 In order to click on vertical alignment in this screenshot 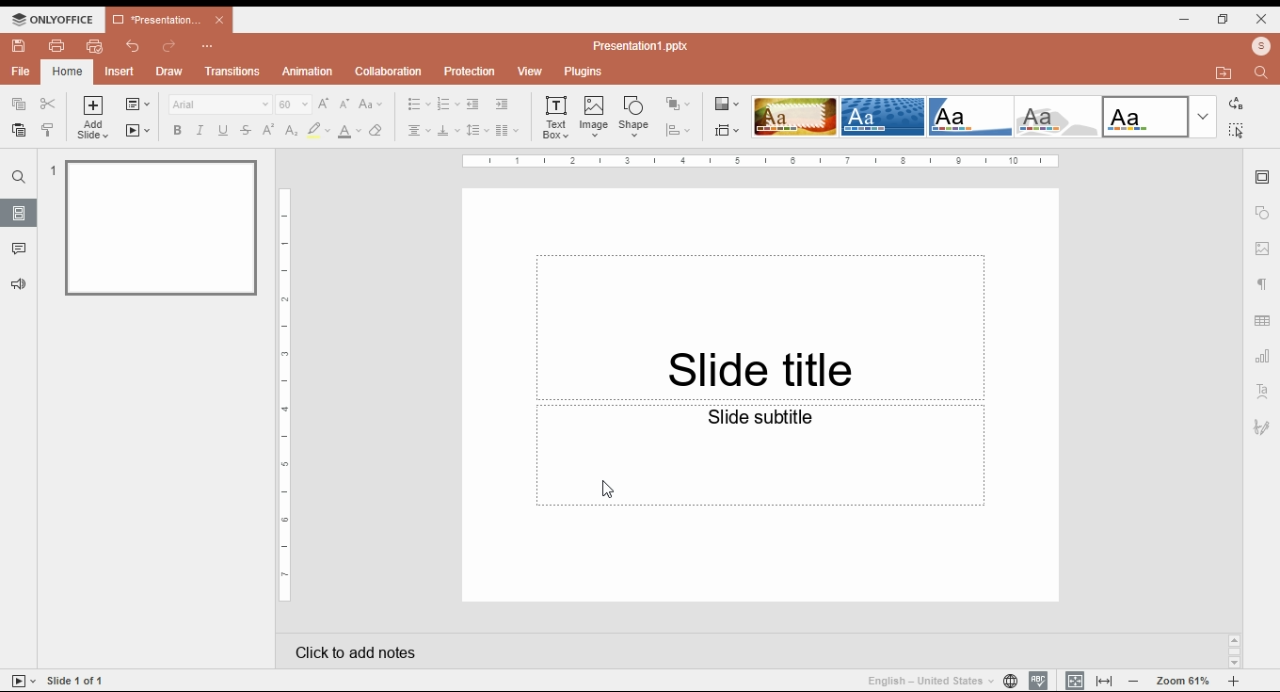, I will do `click(448, 133)`.